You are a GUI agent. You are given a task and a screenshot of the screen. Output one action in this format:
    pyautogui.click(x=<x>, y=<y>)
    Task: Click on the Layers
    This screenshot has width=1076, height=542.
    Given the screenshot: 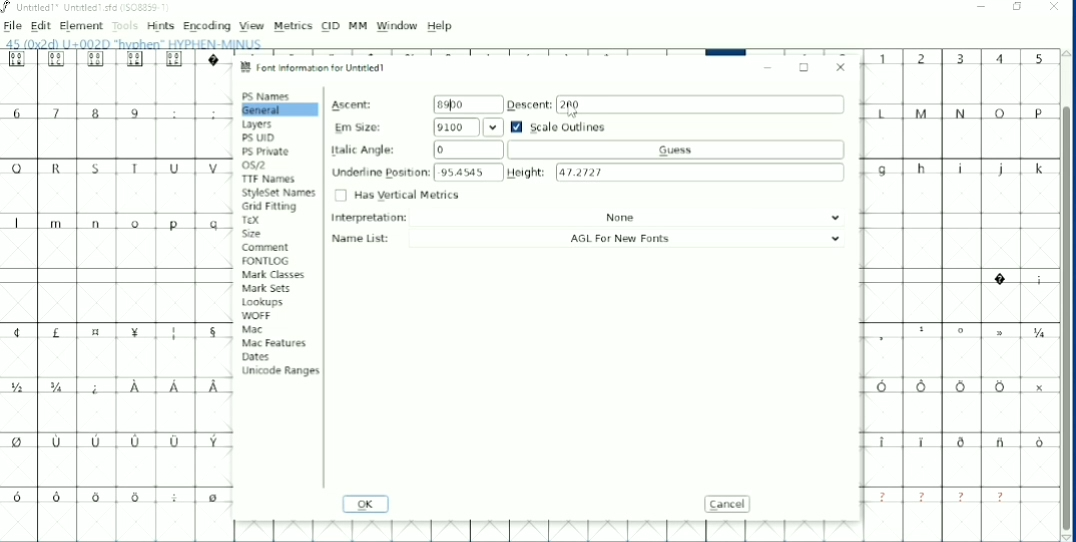 What is the action you would take?
    pyautogui.click(x=259, y=125)
    